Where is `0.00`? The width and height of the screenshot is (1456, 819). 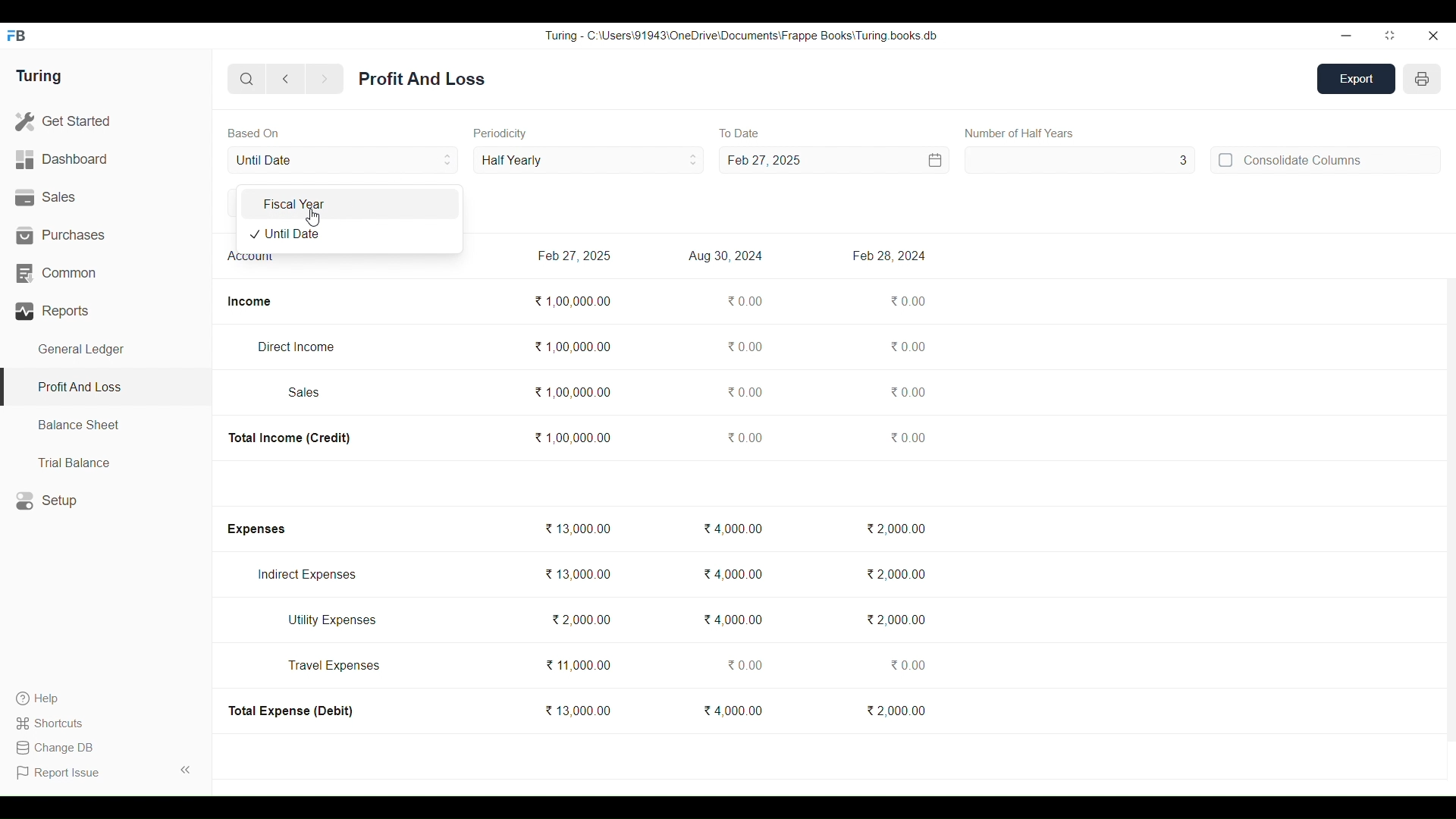
0.00 is located at coordinates (907, 347).